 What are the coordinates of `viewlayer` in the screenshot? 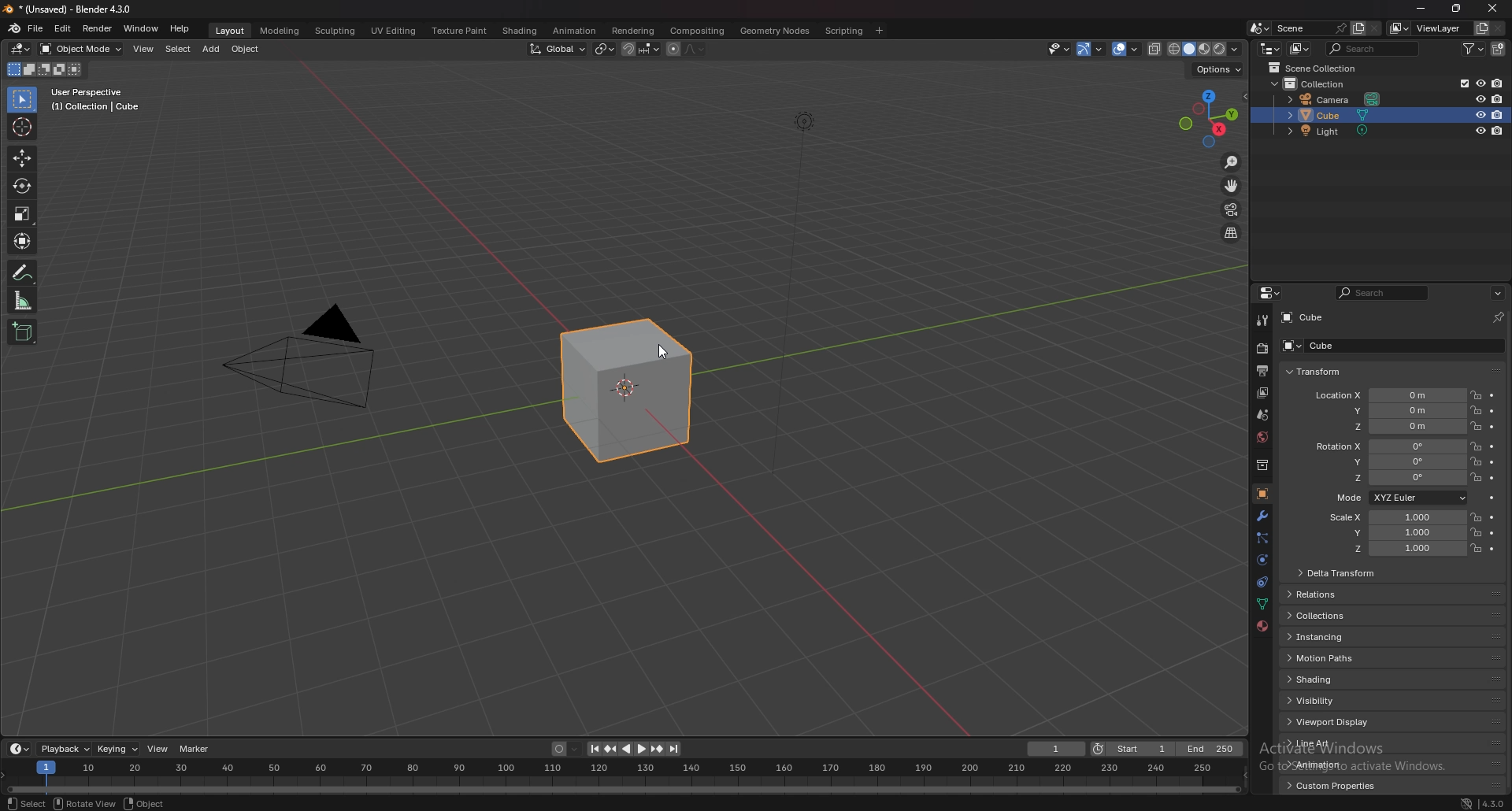 It's located at (1427, 28).